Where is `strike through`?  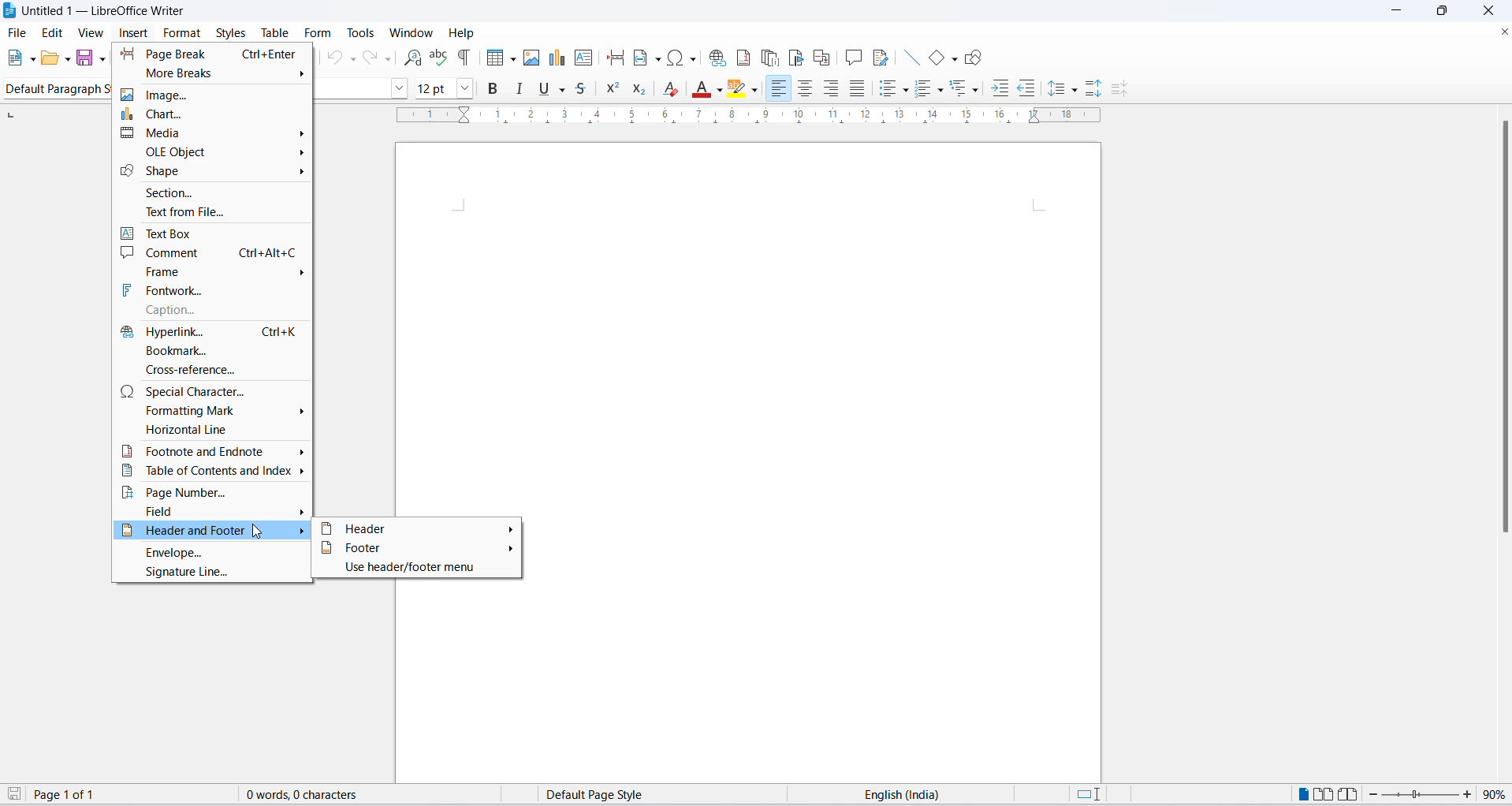
strike through is located at coordinates (587, 88).